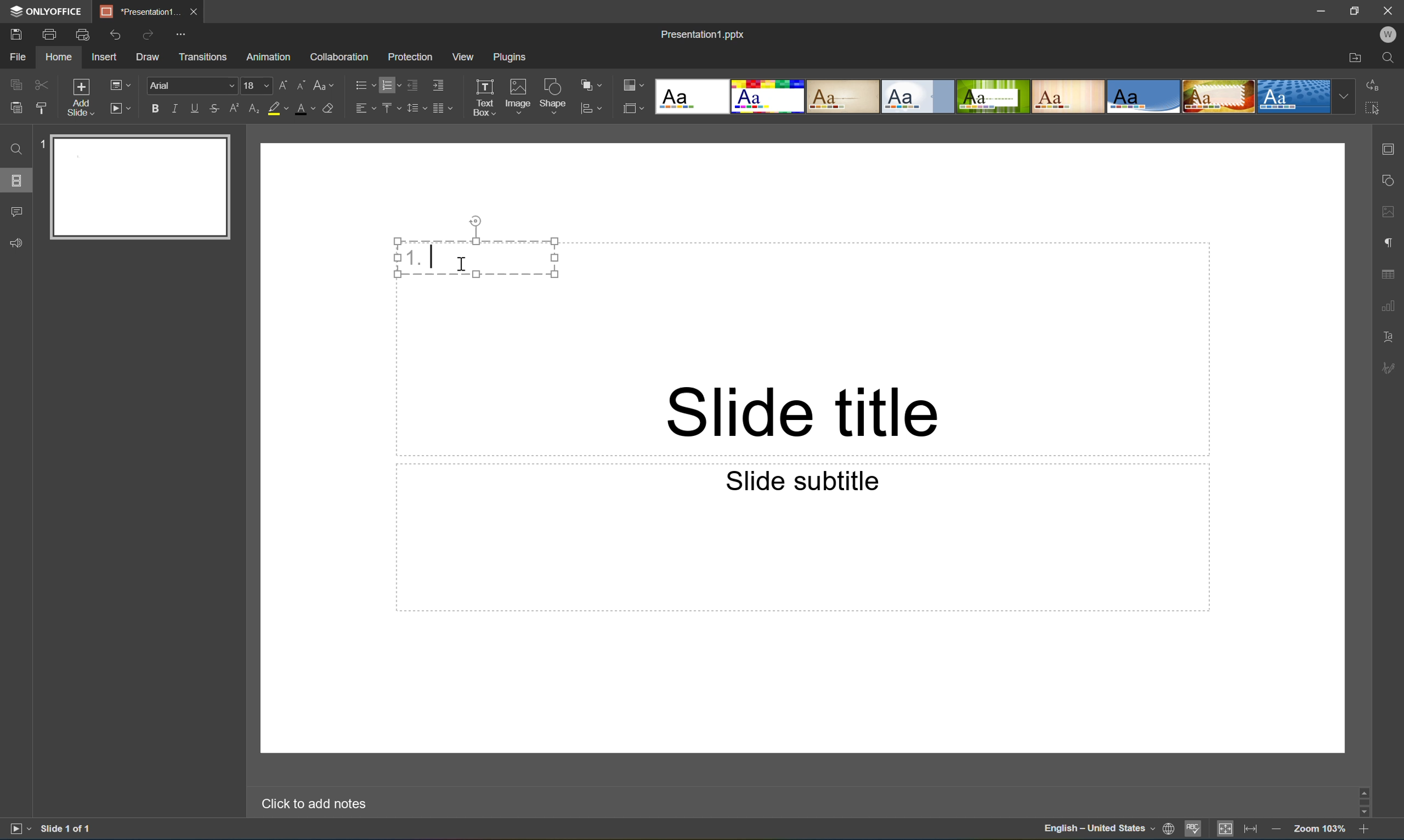 This screenshot has height=840, width=1404. What do you see at coordinates (258, 87) in the screenshot?
I see `Font size` at bounding box center [258, 87].